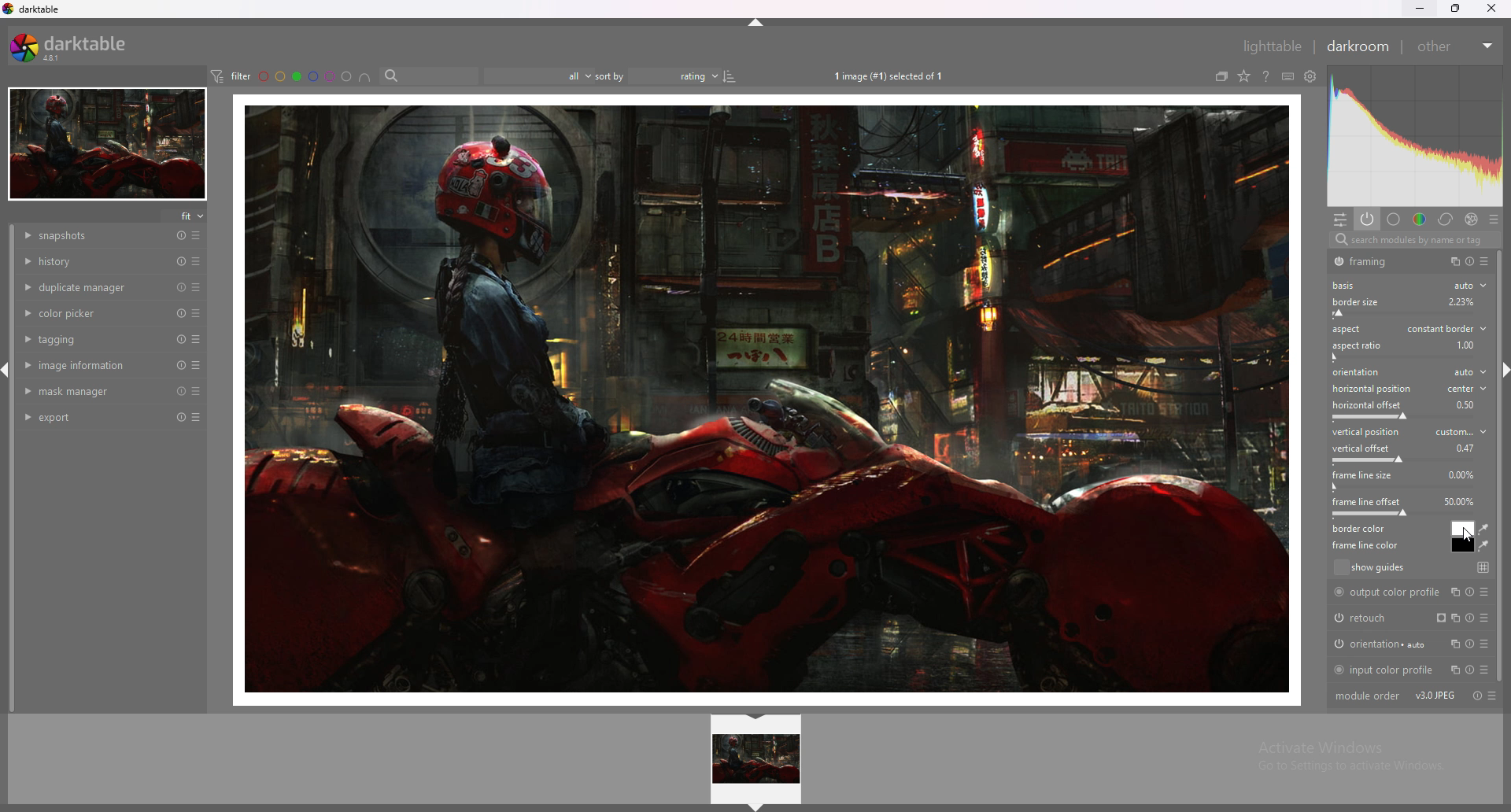 The height and width of the screenshot is (812, 1511). What do you see at coordinates (181, 339) in the screenshot?
I see `reset` at bounding box center [181, 339].